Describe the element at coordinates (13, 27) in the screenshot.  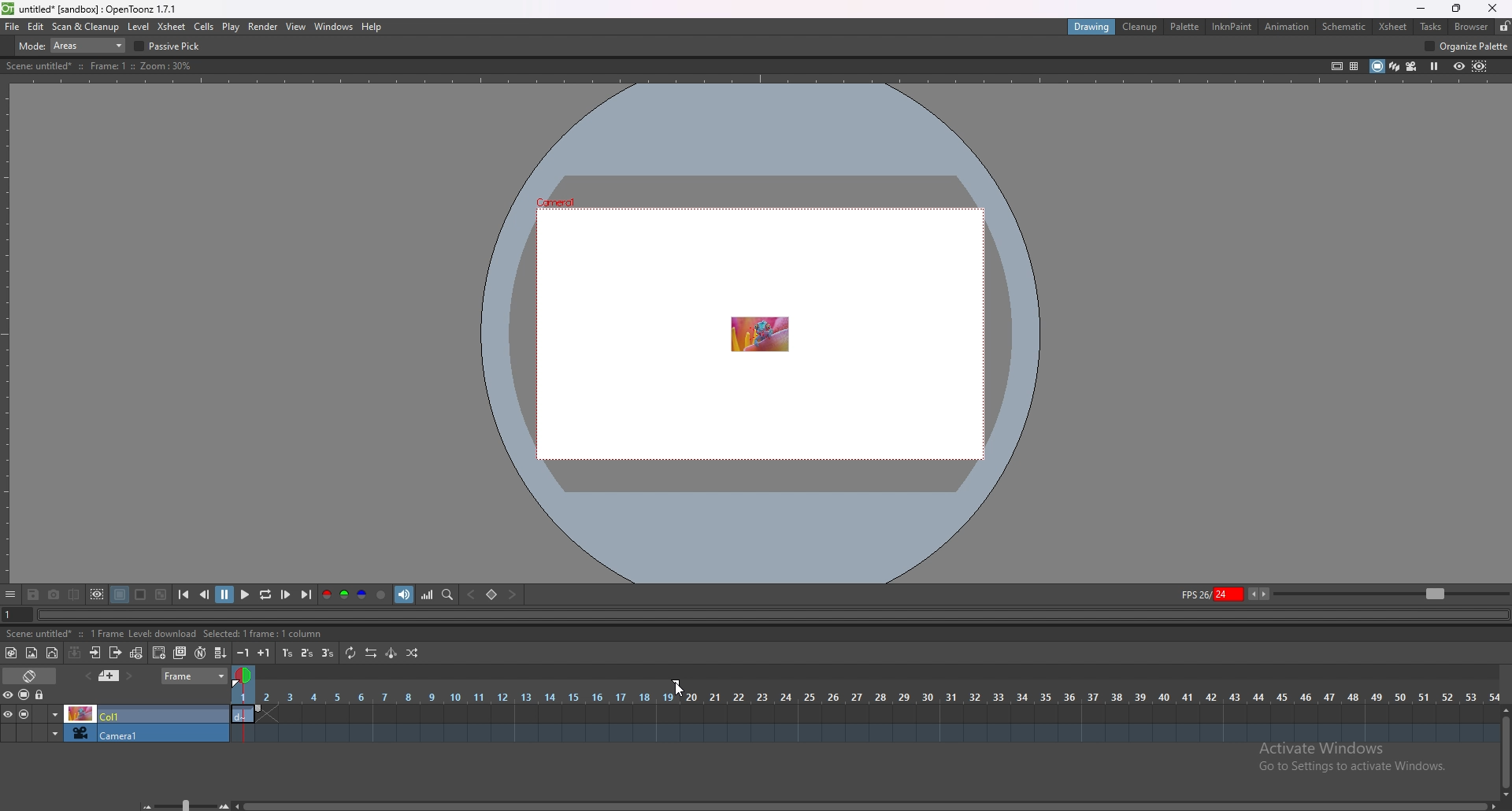
I see `file` at that location.